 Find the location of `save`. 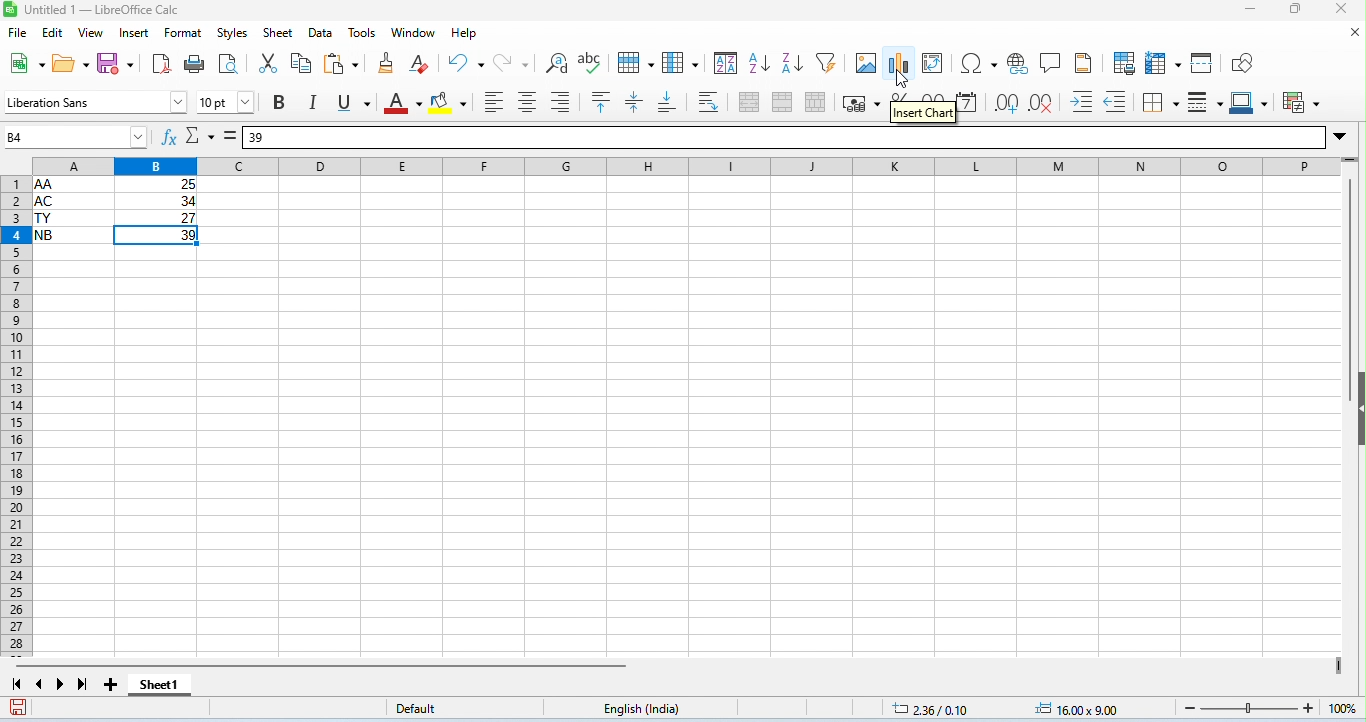

save is located at coordinates (117, 64).